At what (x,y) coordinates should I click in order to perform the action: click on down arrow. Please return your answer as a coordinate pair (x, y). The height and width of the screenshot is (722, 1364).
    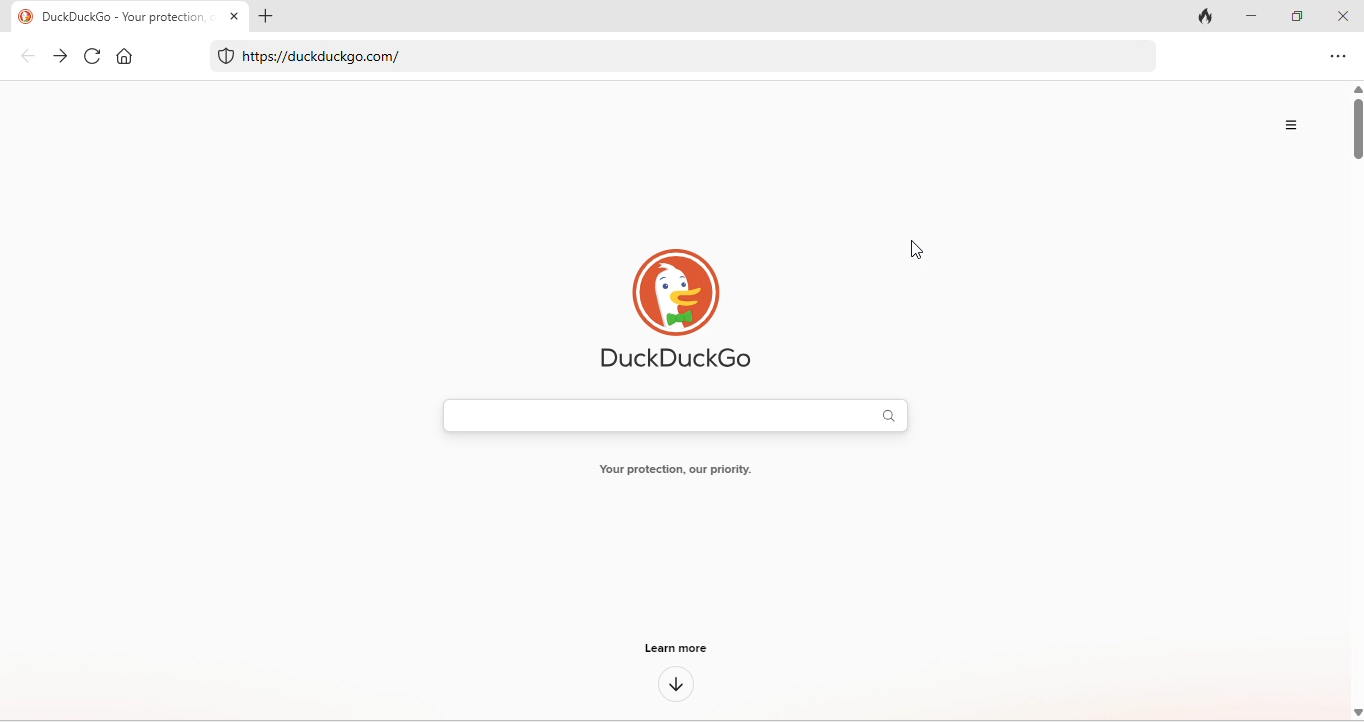
    Looking at the image, I should click on (678, 685).